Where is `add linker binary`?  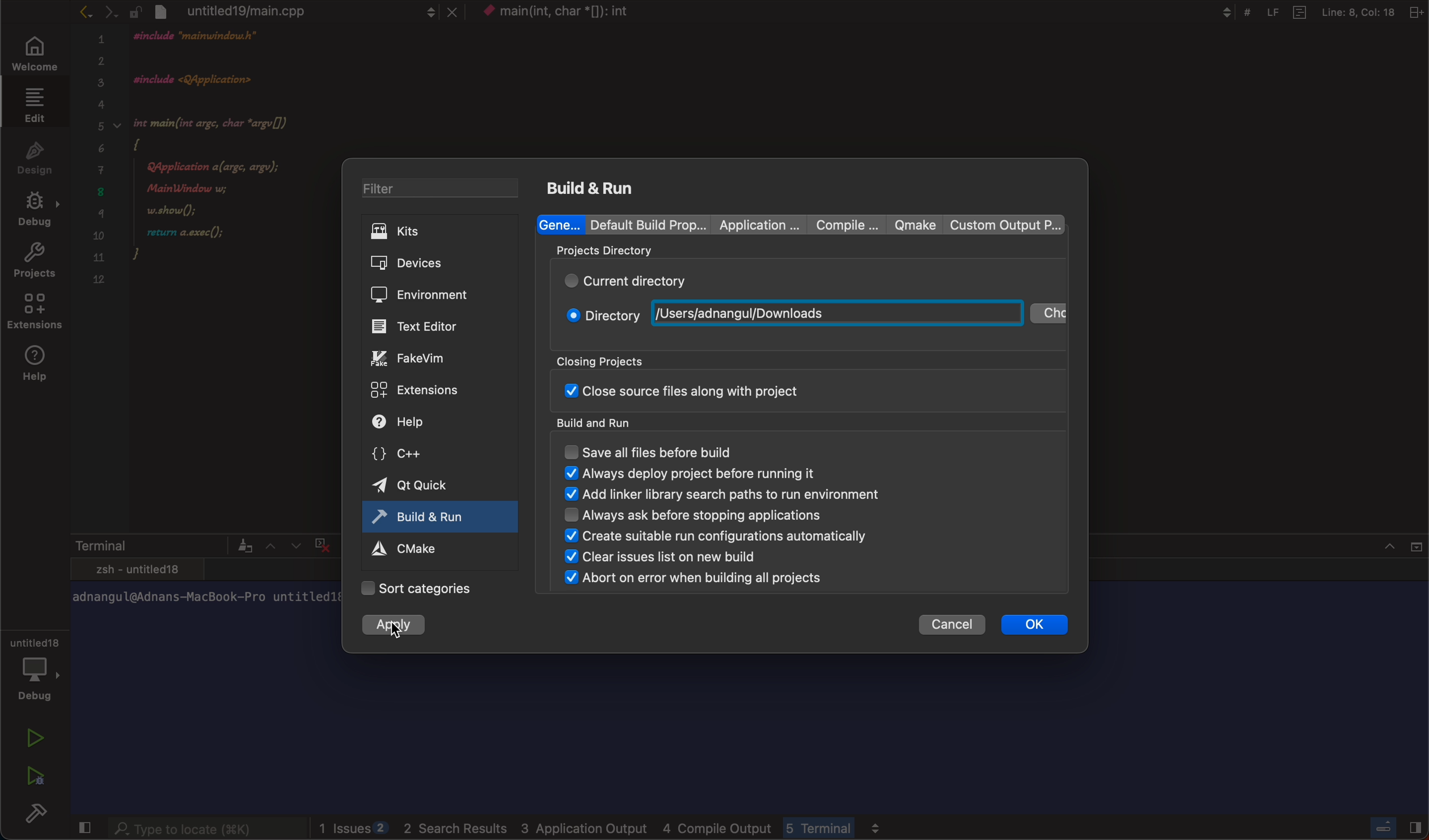 add linker binary is located at coordinates (717, 496).